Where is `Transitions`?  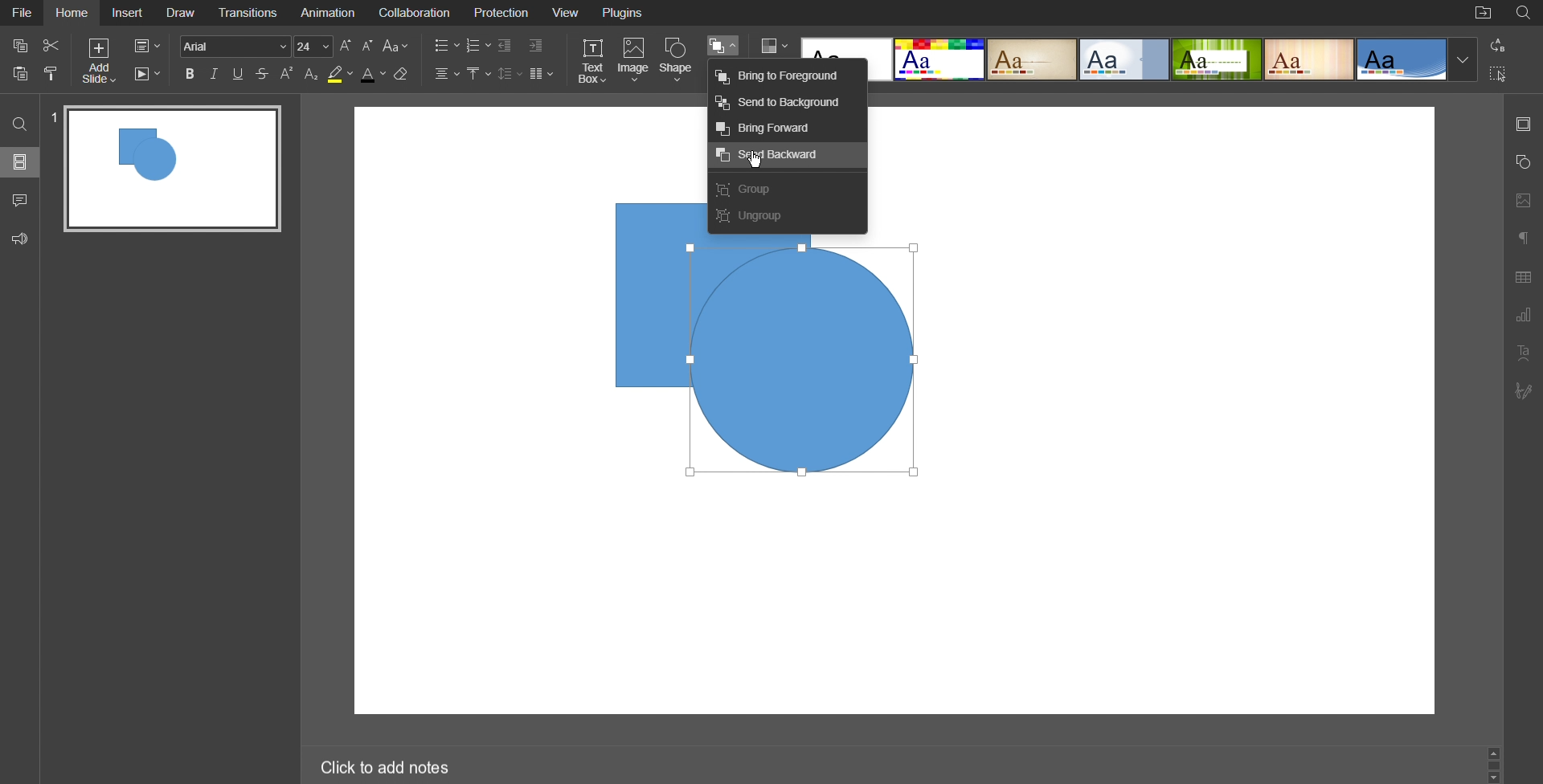 Transitions is located at coordinates (249, 13).